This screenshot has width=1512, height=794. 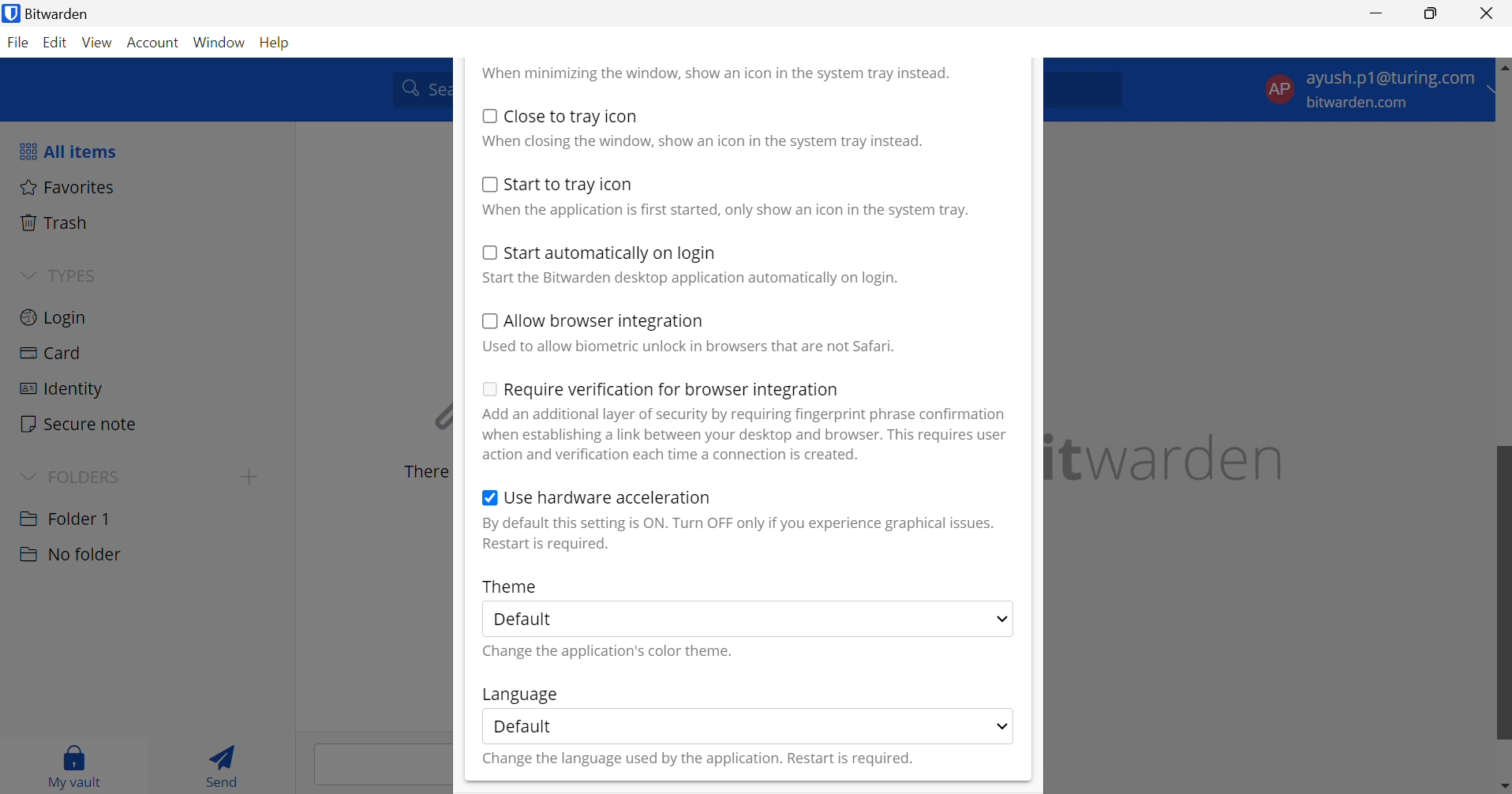 What do you see at coordinates (605, 323) in the screenshot?
I see `Allow browser integration` at bounding box center [605, 323].